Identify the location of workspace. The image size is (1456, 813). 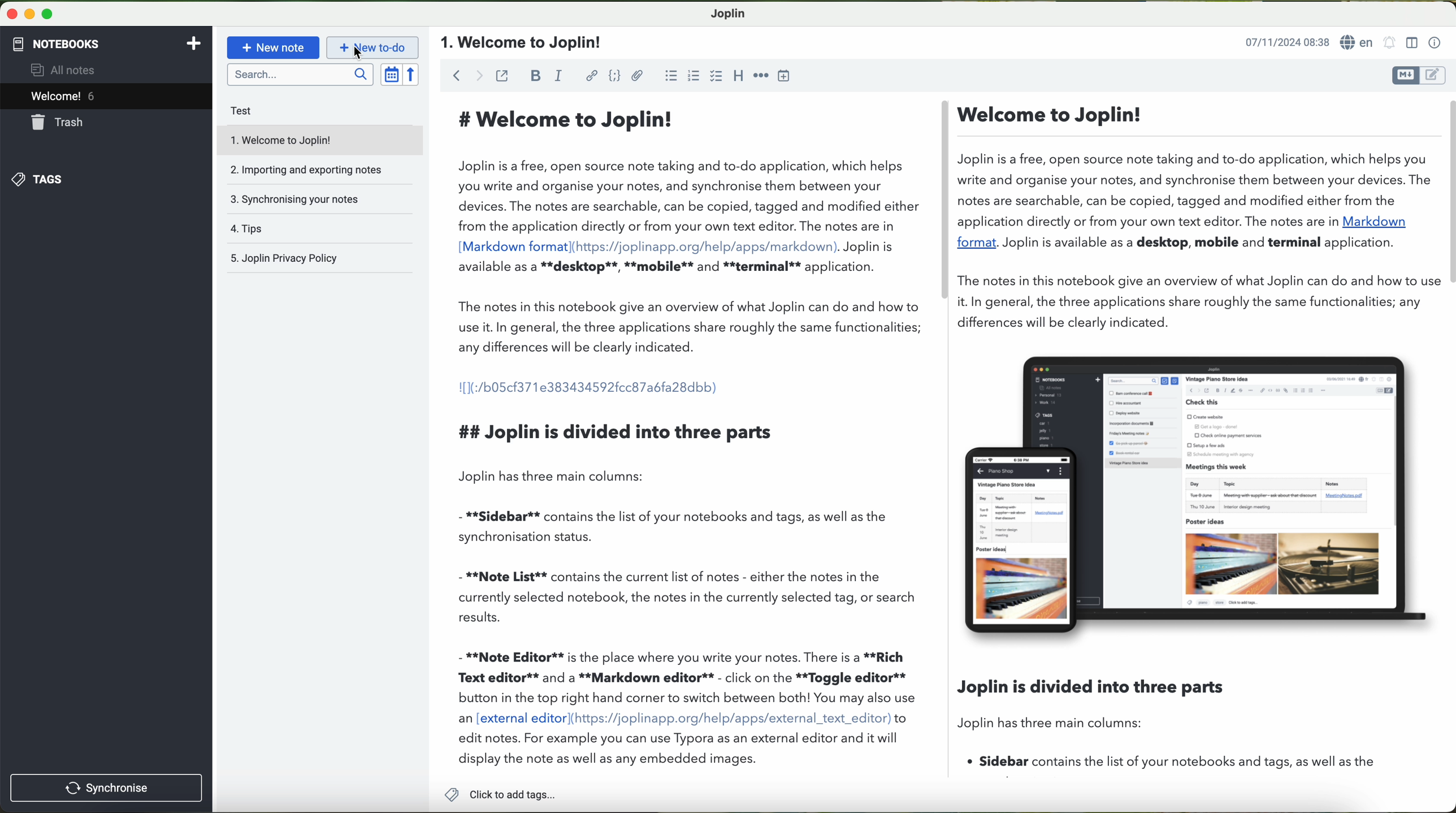
(947, 439).